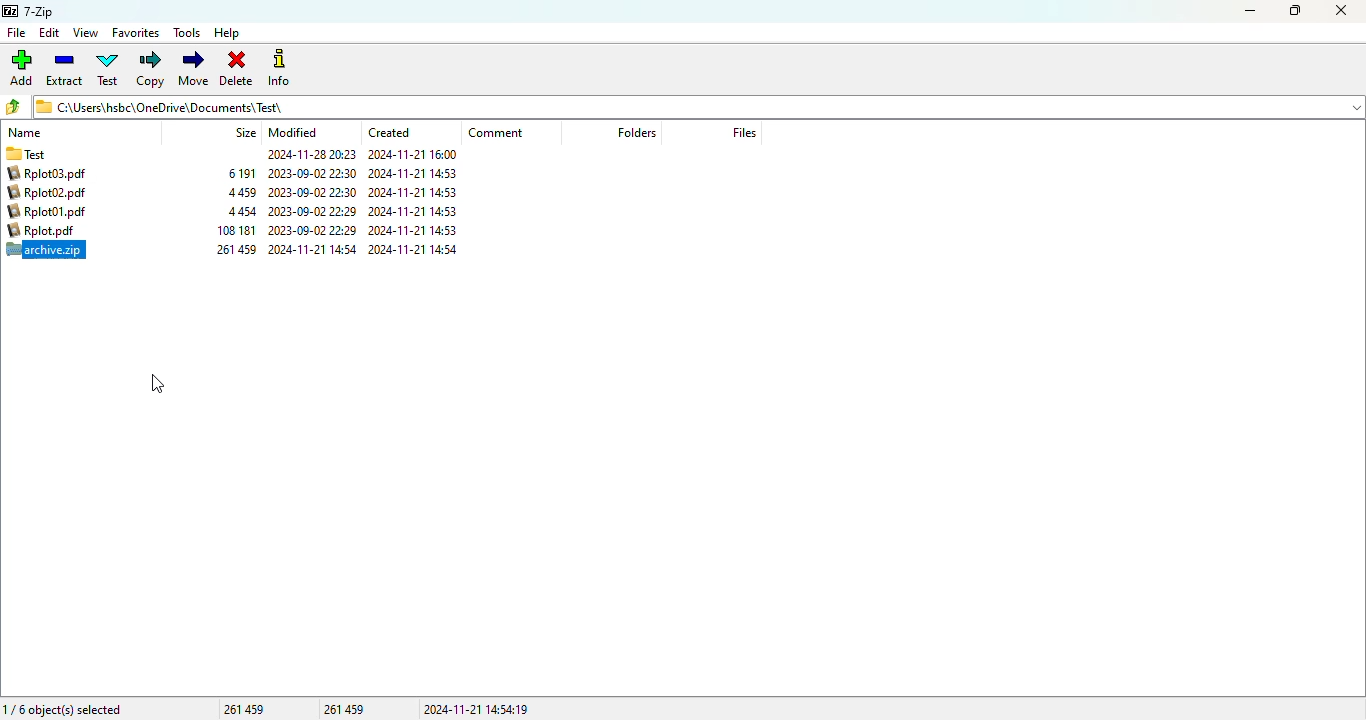 This screenshot has width=1366, height=720. What do you see at coordinates (415, 155) in the screenshot?
I see `2024-11-21 16:00` at bounding box center [415, 155].